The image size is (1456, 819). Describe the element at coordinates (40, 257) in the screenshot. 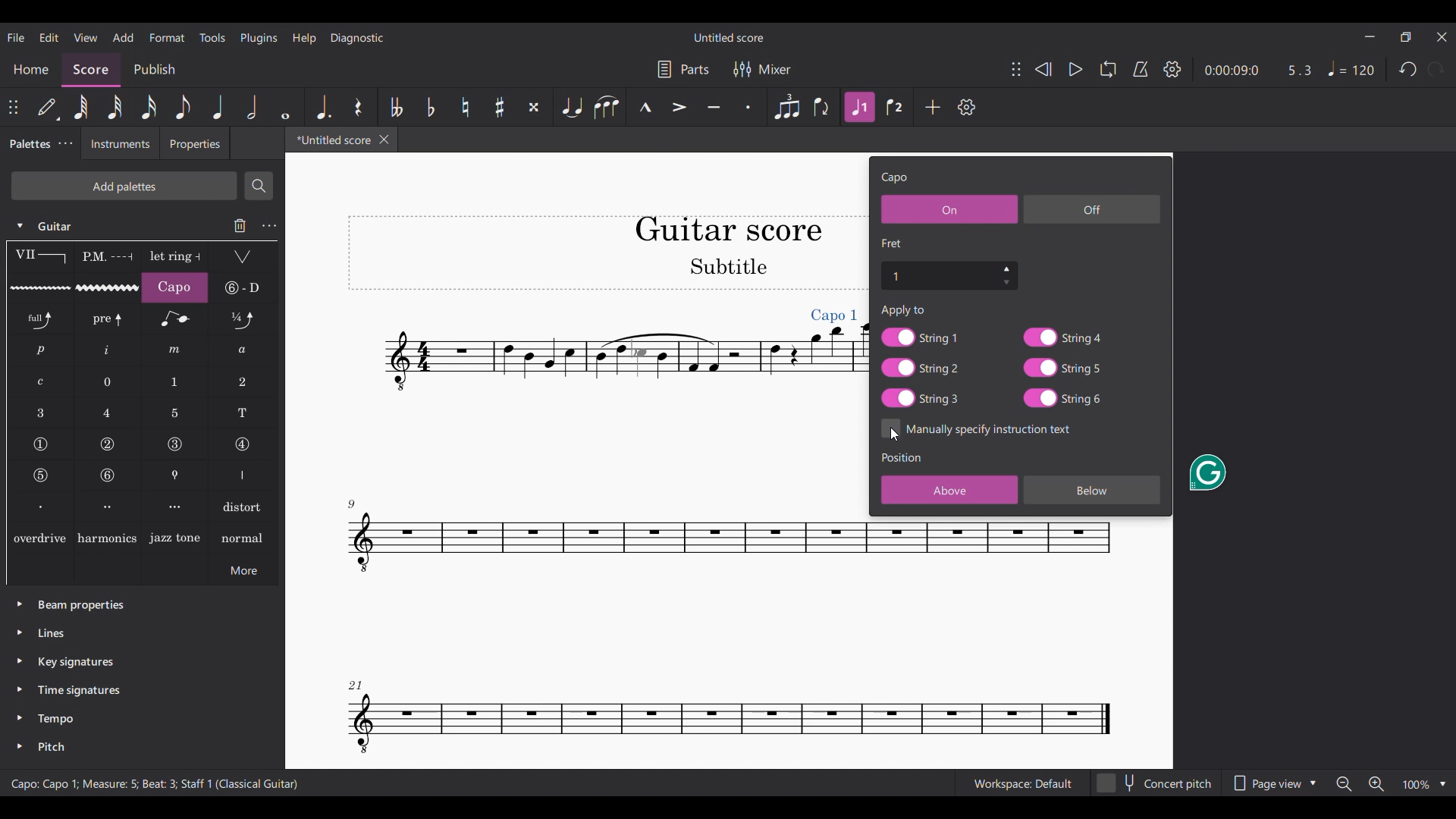

I see `Barre line` at that location.